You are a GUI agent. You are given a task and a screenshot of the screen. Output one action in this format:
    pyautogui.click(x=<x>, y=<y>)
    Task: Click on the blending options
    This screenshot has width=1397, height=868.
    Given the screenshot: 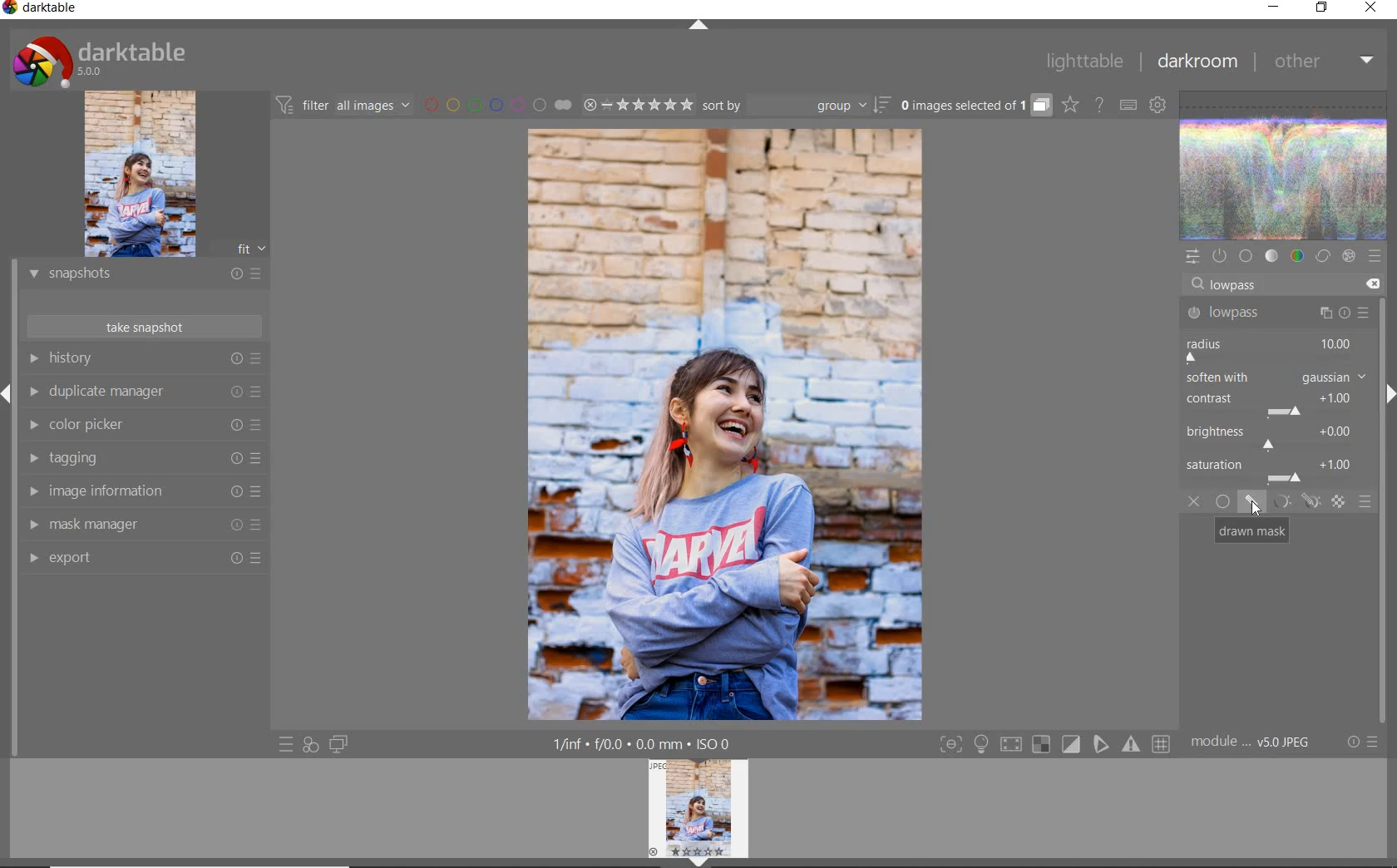 What is the action you would take?
    pyautogui.click(x=1365, y=501)
    